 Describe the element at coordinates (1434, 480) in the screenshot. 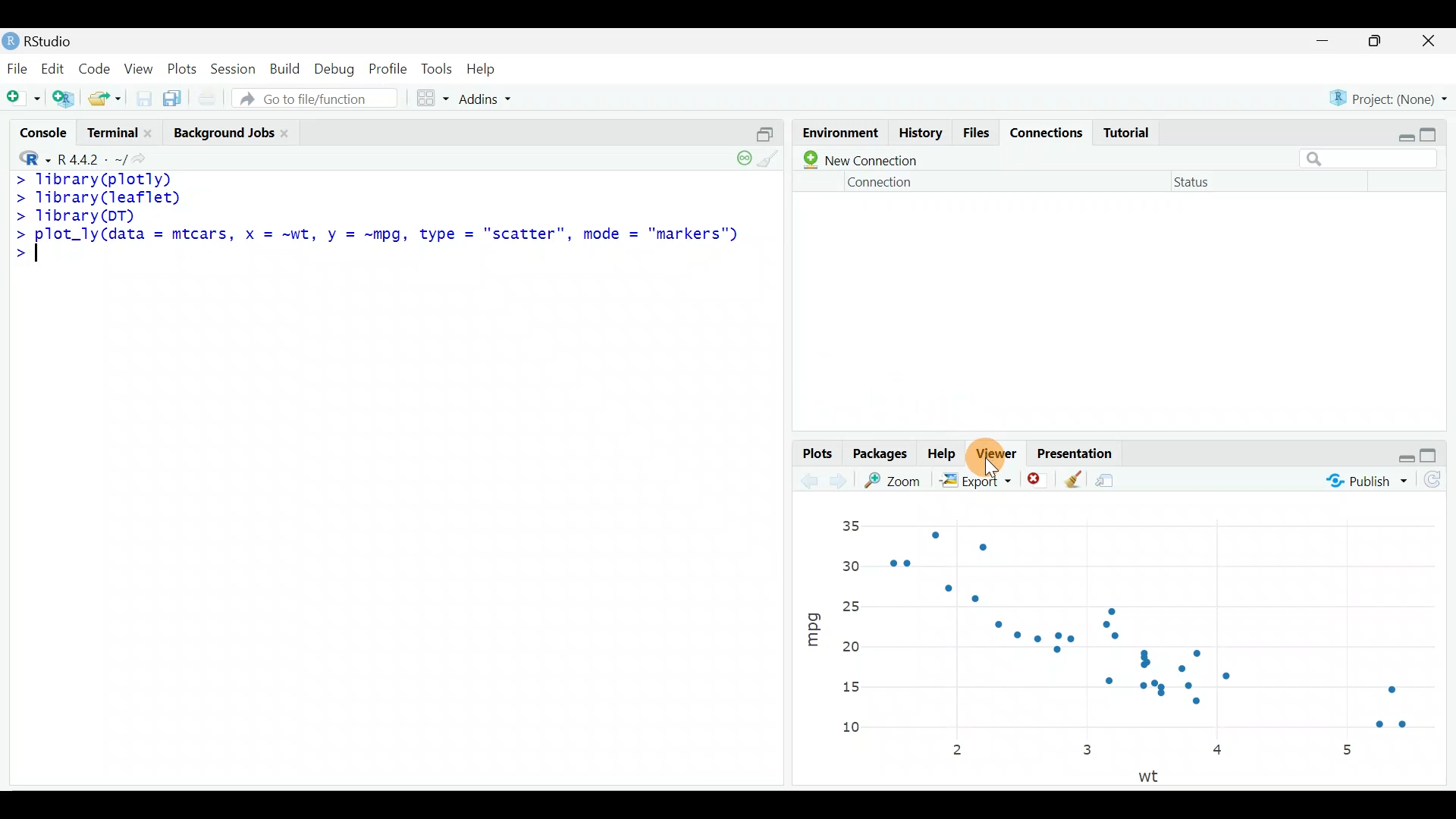

I see `Refresh the presentation preview` at that location.